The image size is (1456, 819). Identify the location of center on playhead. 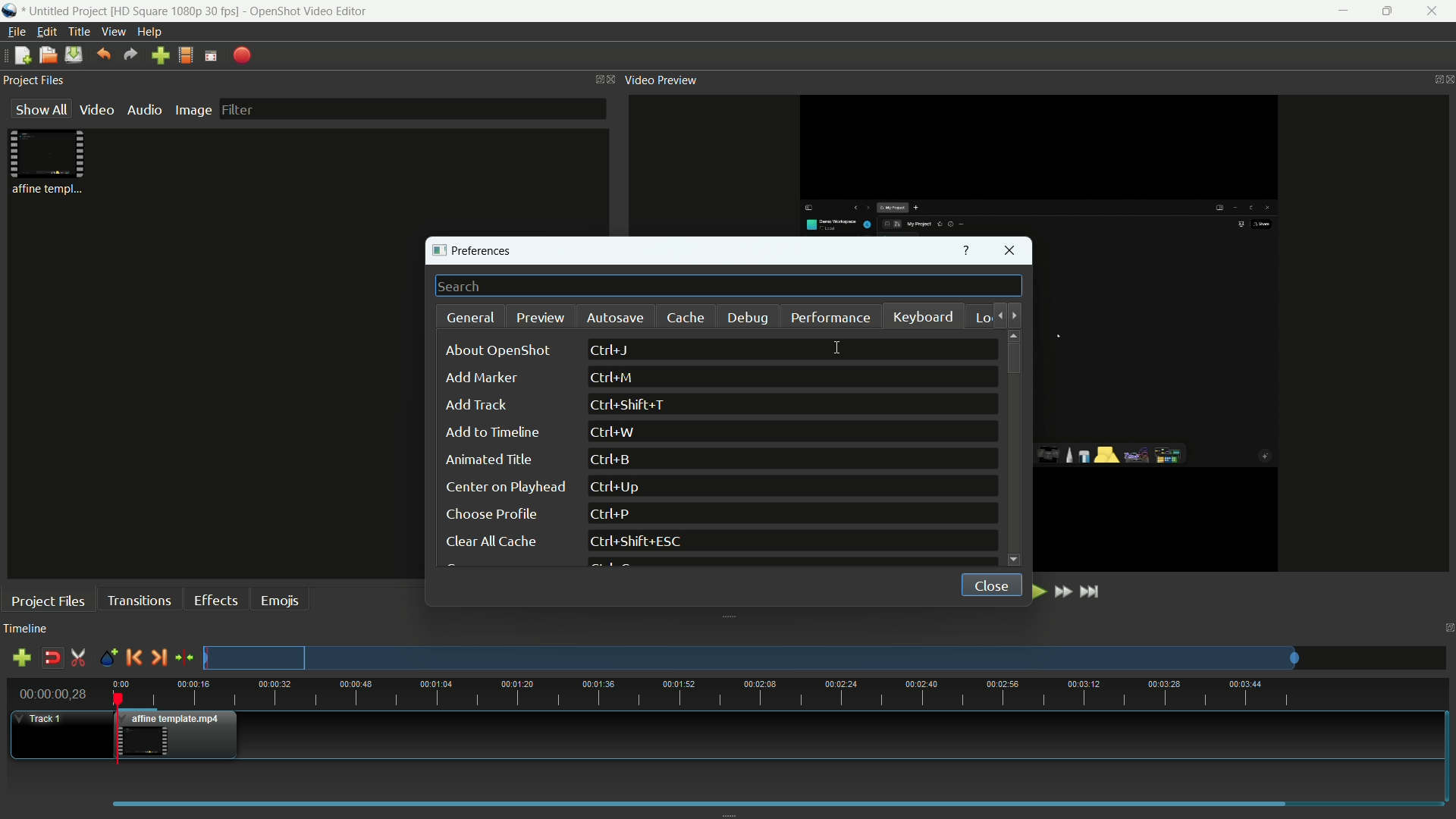
(504, 487).